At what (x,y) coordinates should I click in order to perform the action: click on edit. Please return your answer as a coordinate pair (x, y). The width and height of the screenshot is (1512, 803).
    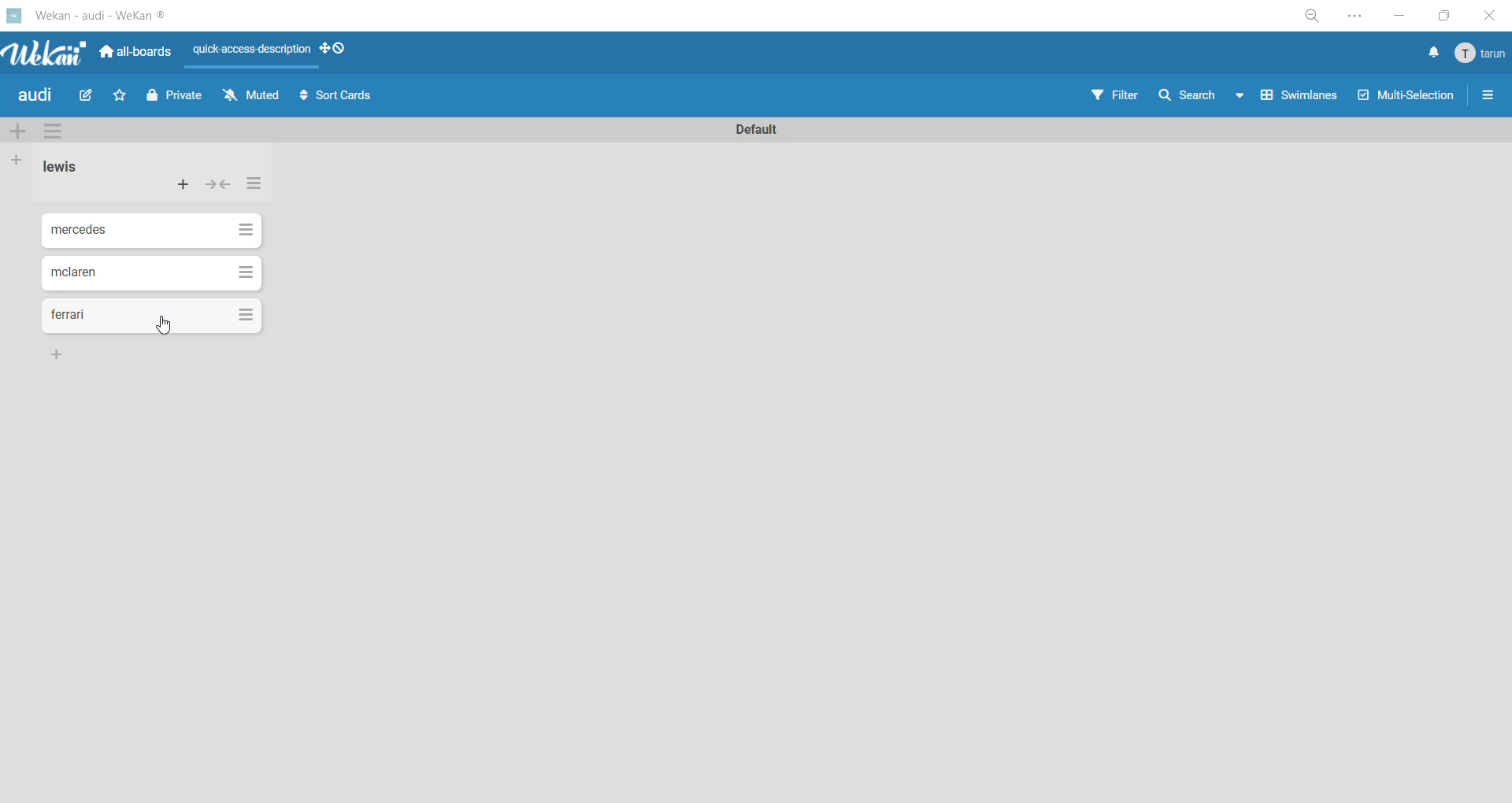
    Looking at the image, I should click on (93, 96).